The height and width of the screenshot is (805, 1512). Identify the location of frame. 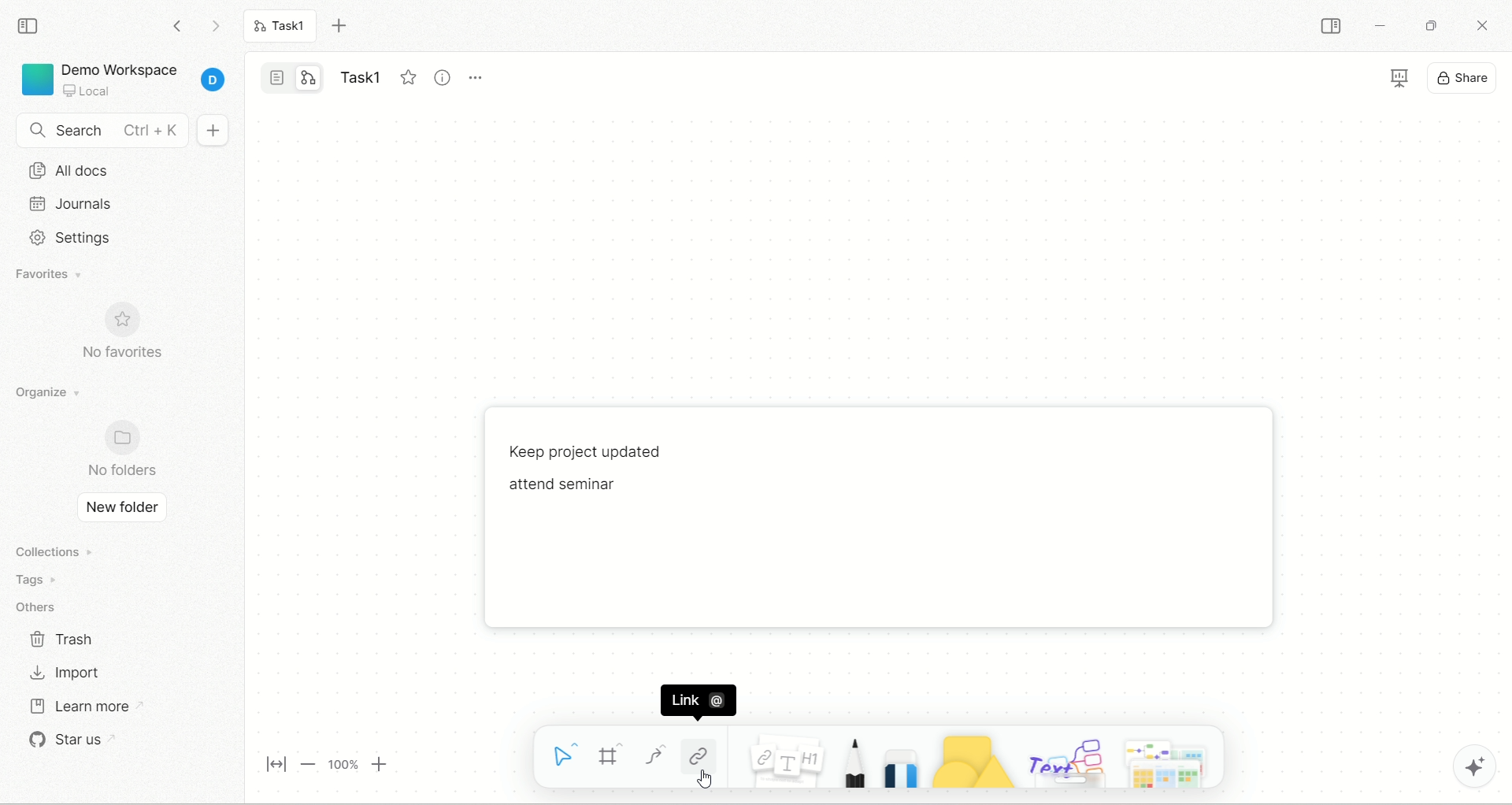
(610, 755).